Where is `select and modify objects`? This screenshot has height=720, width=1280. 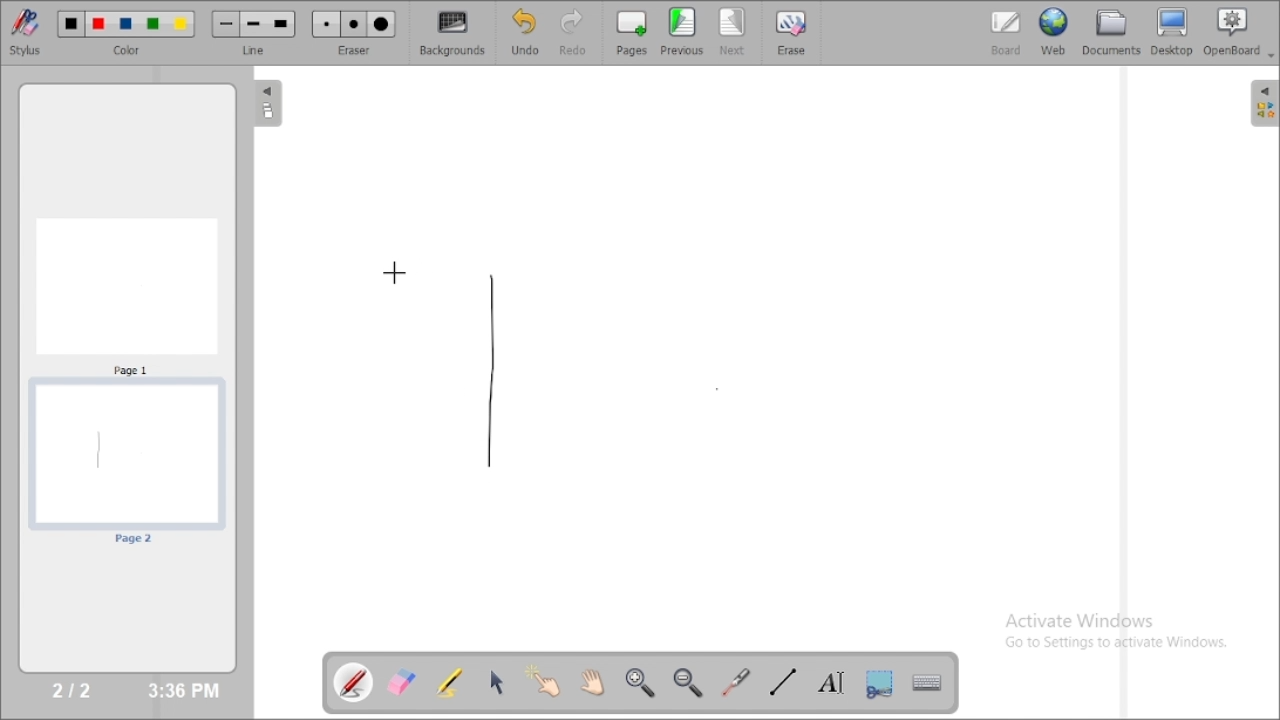 select and modify objects is located at coordinates (497, 682).